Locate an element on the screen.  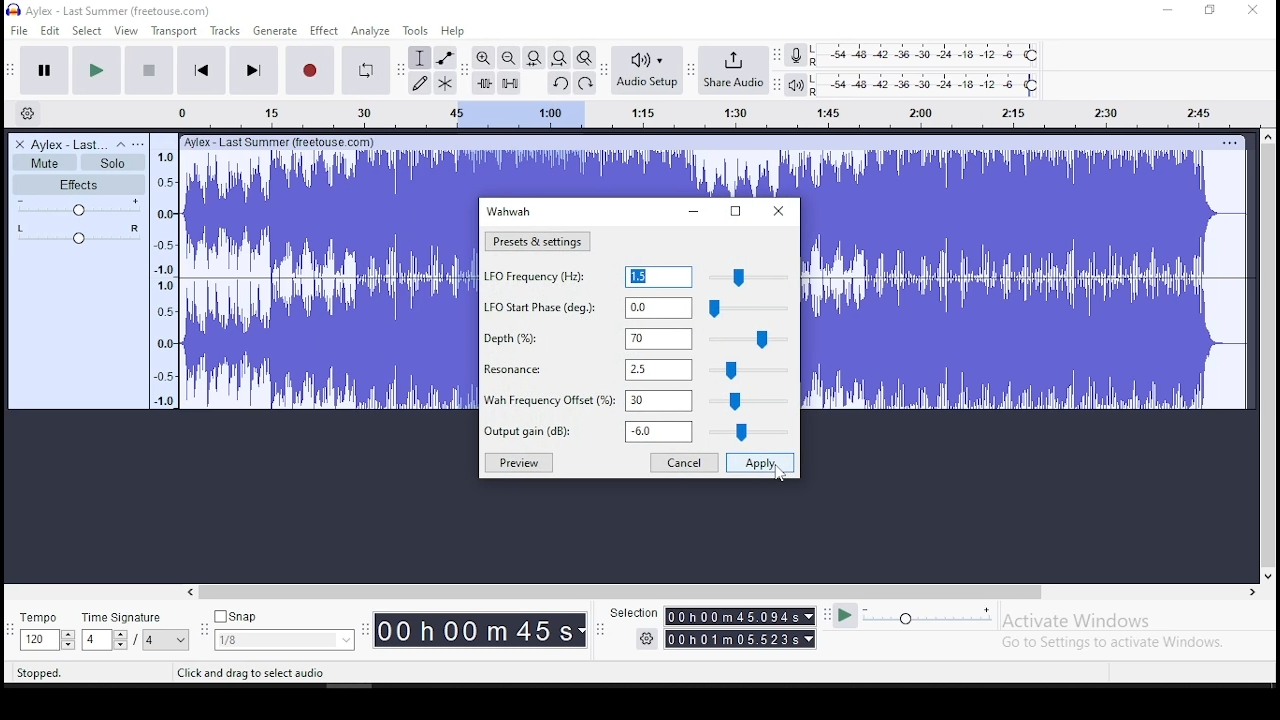
00h00m55.989s is located at coordinates (741, 616).